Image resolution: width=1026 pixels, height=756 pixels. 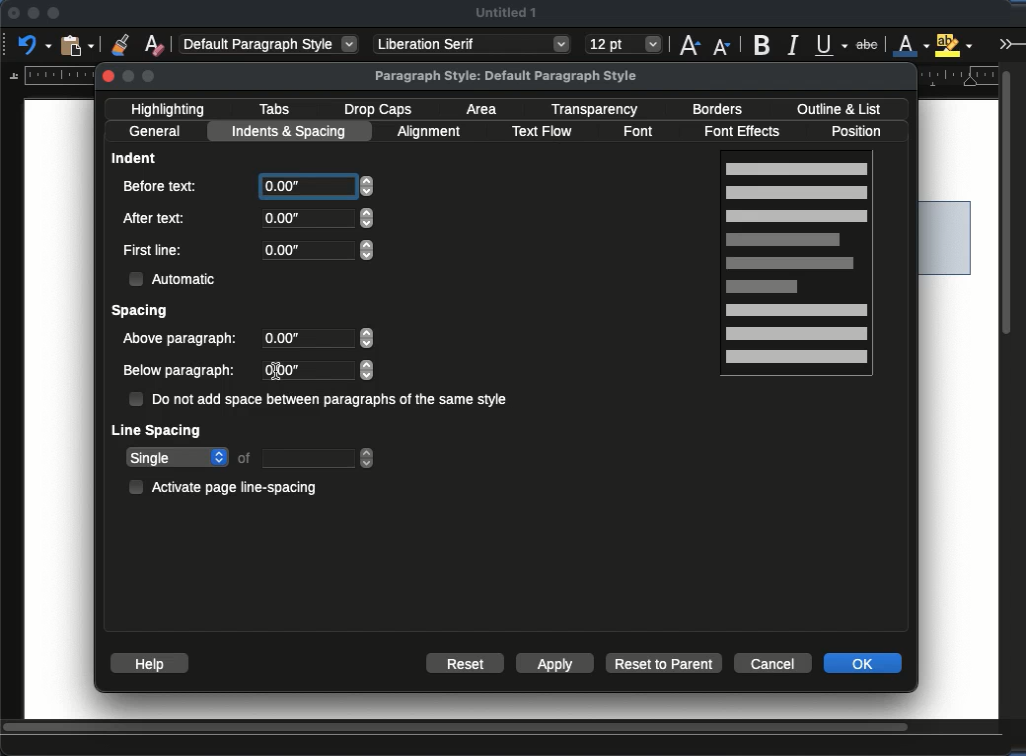 I want to click on font, so click(x=642, y=132).